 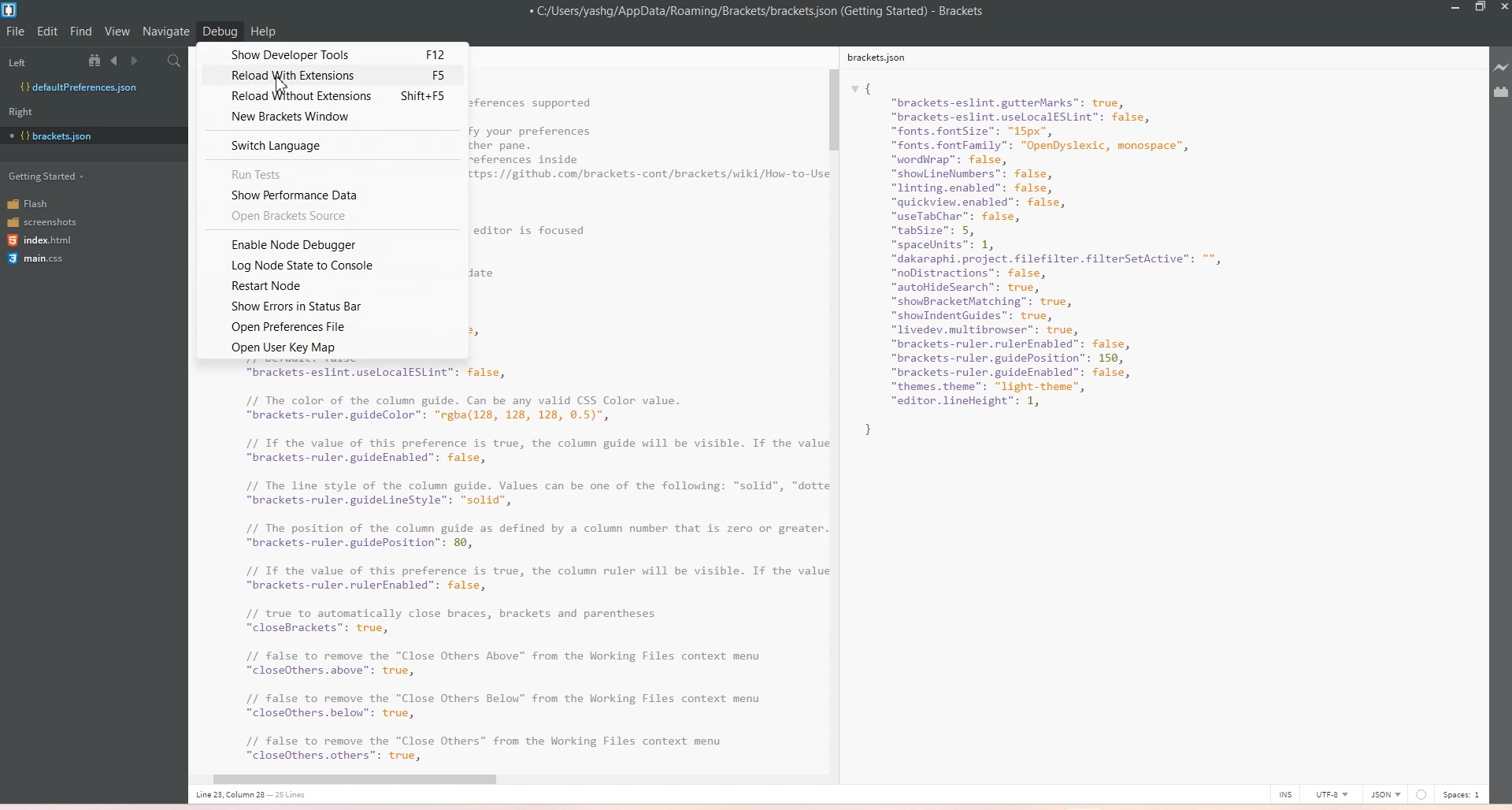 What do you see at coordinates (1385, 793) in the screenshot?
I see `JSON` at bounding box center [1385, 793].